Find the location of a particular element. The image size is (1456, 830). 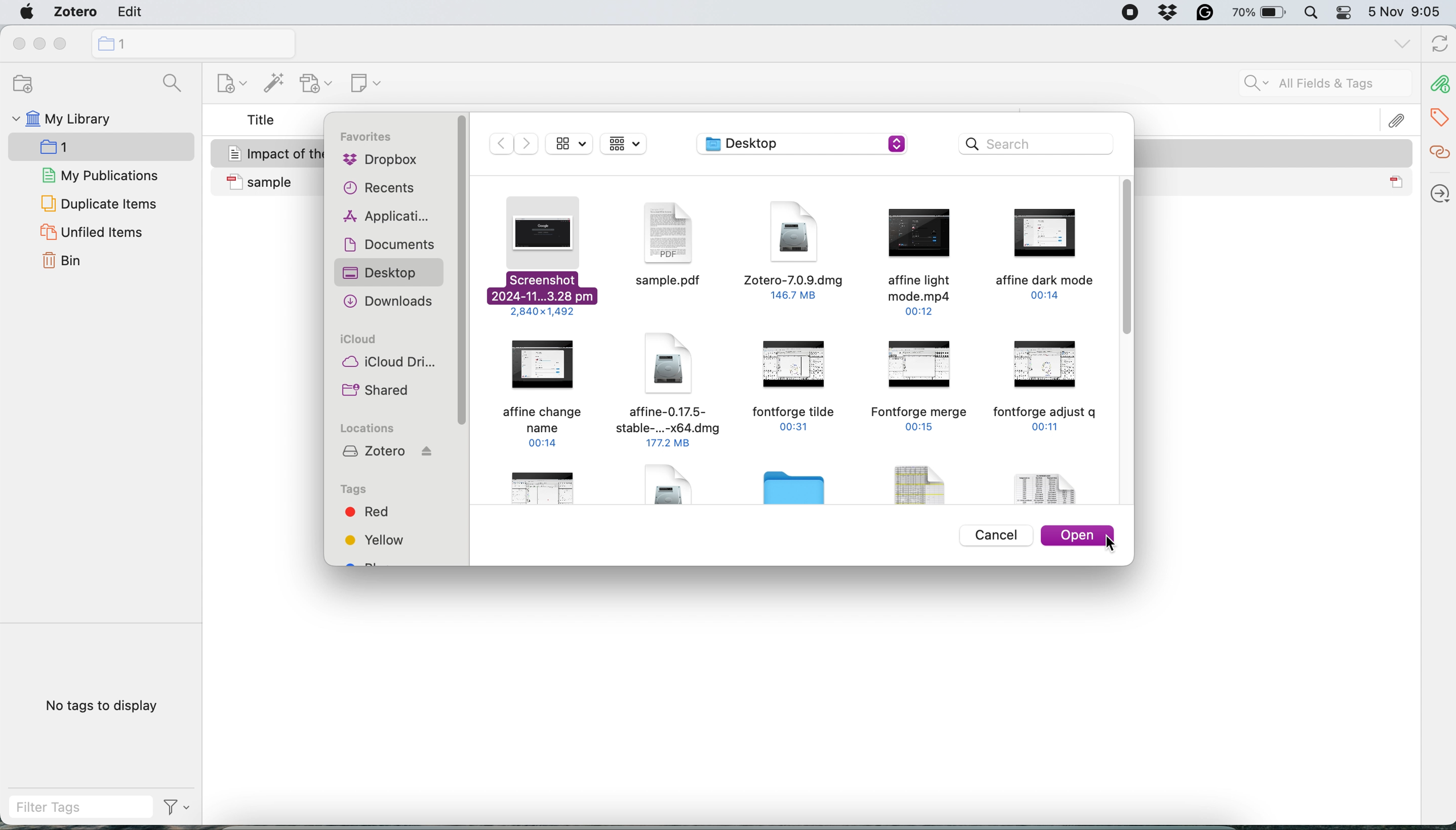

documents is located at coordinates (387, 246).